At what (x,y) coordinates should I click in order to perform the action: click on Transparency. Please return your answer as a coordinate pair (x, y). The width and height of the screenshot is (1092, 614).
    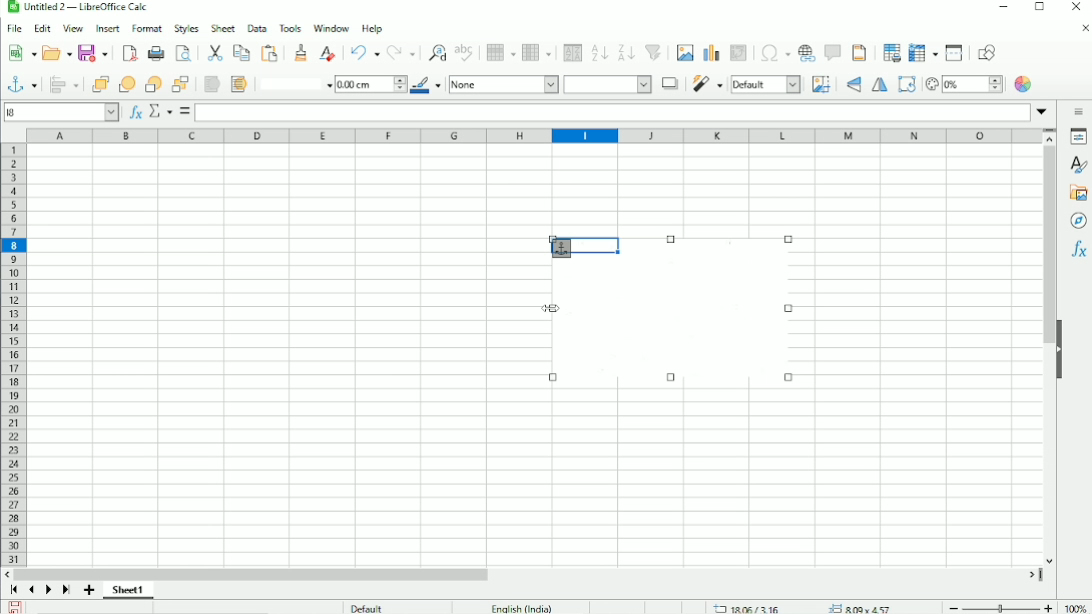
    Looking at the image, I should click on (963, 84).